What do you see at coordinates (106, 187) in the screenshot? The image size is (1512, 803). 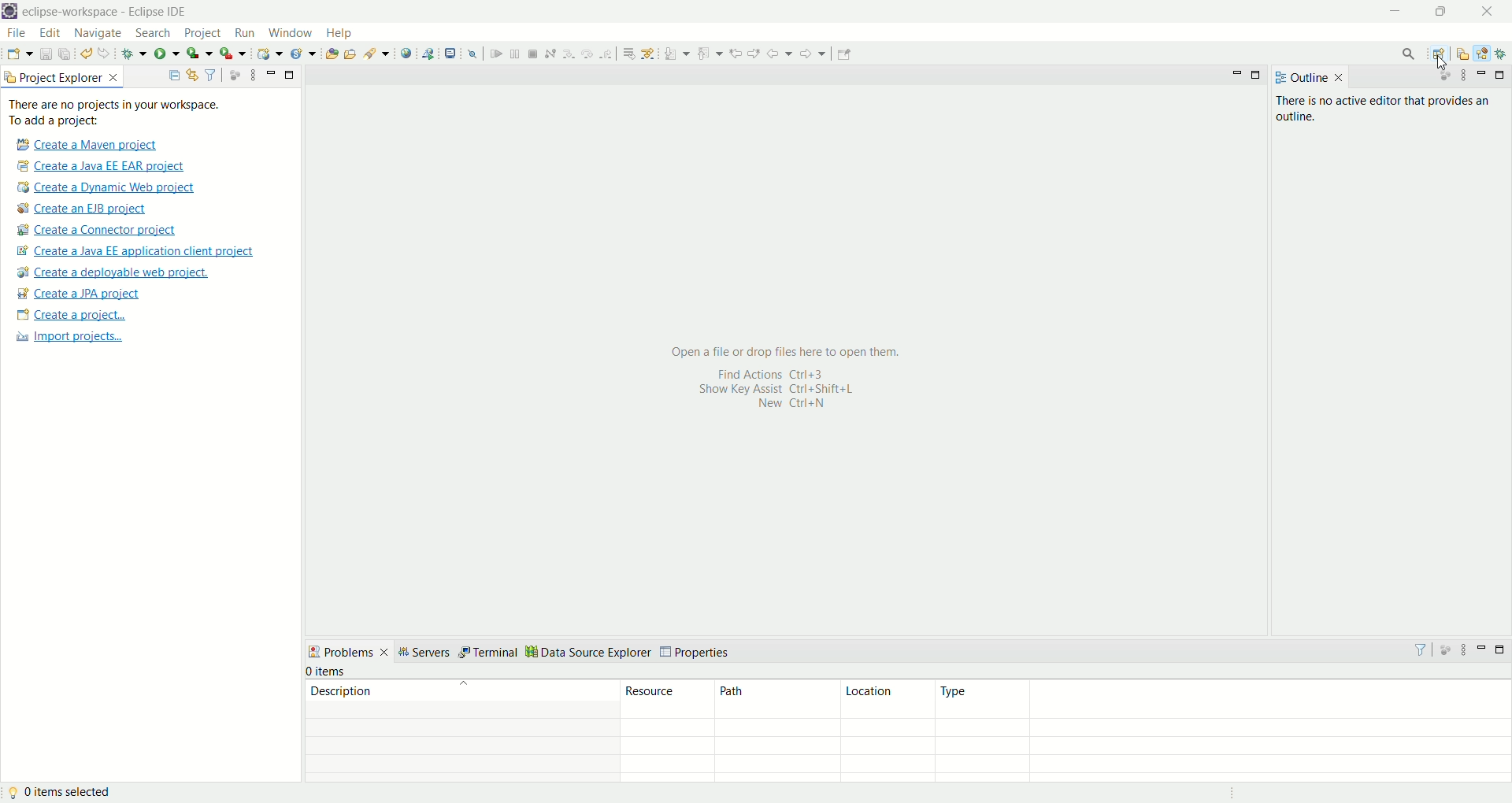 I see `create a Dynamic web project` at bounding box center [106, 187].